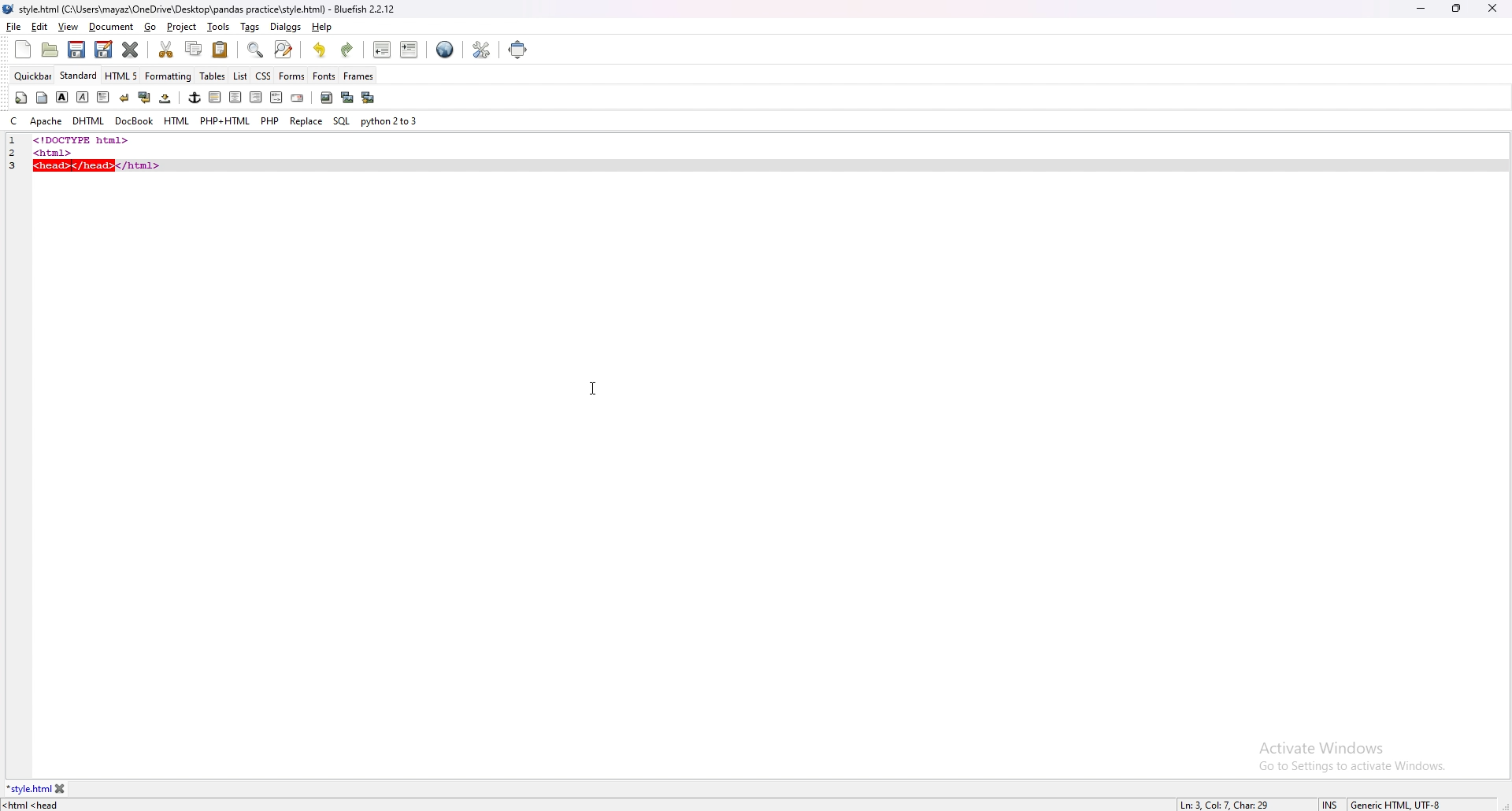 The height and width of the screenshot is (811, 1512). Describe the element at coordinates (68, 27) in the screenshot. I see `view` at that location.